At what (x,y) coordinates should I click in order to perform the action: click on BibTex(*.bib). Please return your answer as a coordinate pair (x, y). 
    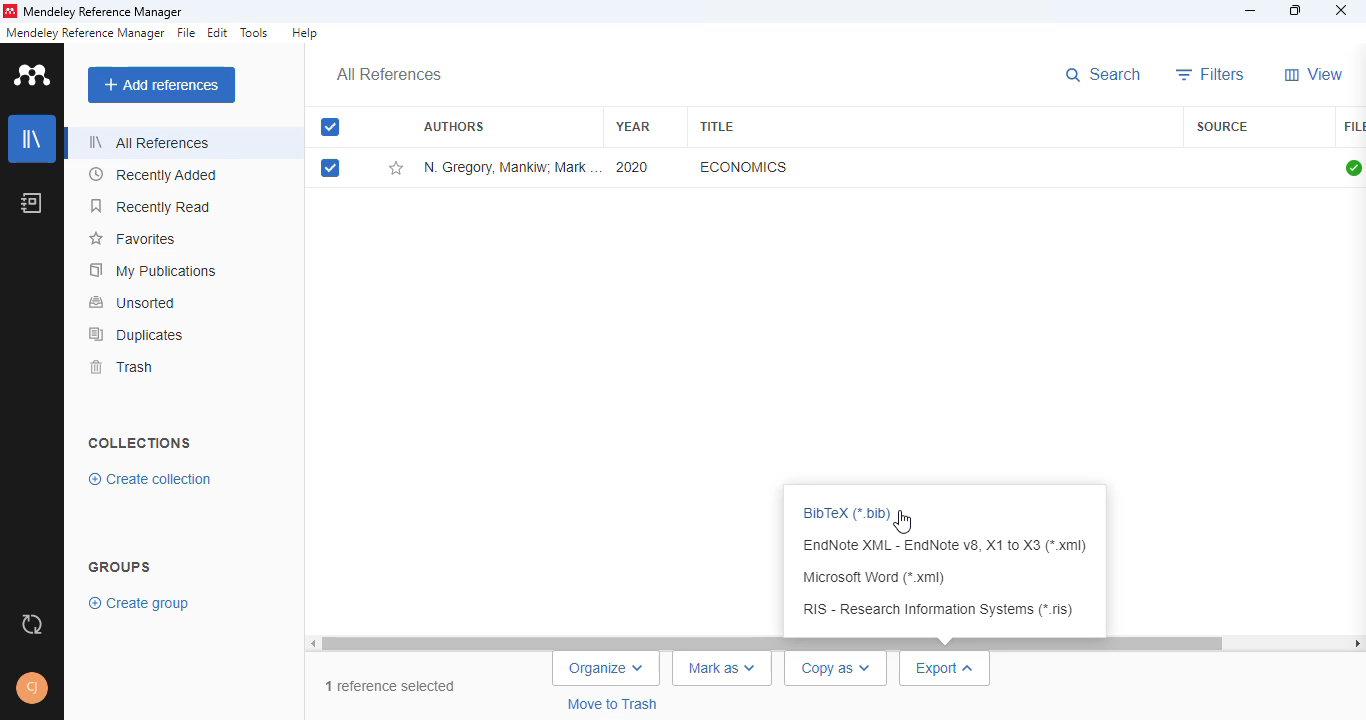
    Looking at the image, I should click on (845, 513).